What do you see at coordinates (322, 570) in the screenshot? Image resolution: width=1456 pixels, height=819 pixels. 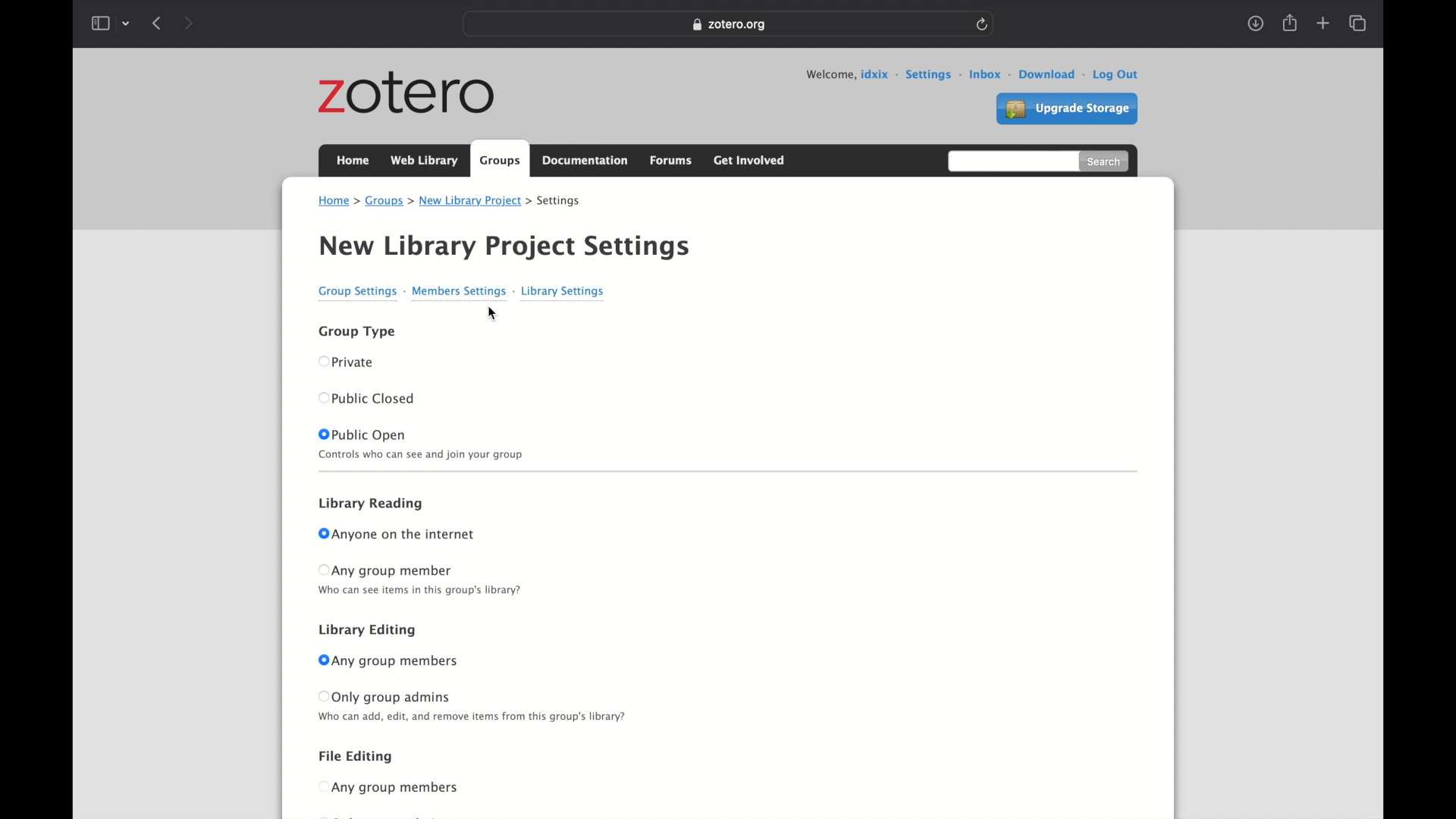 I see `button` at bounding box center [322, 570].